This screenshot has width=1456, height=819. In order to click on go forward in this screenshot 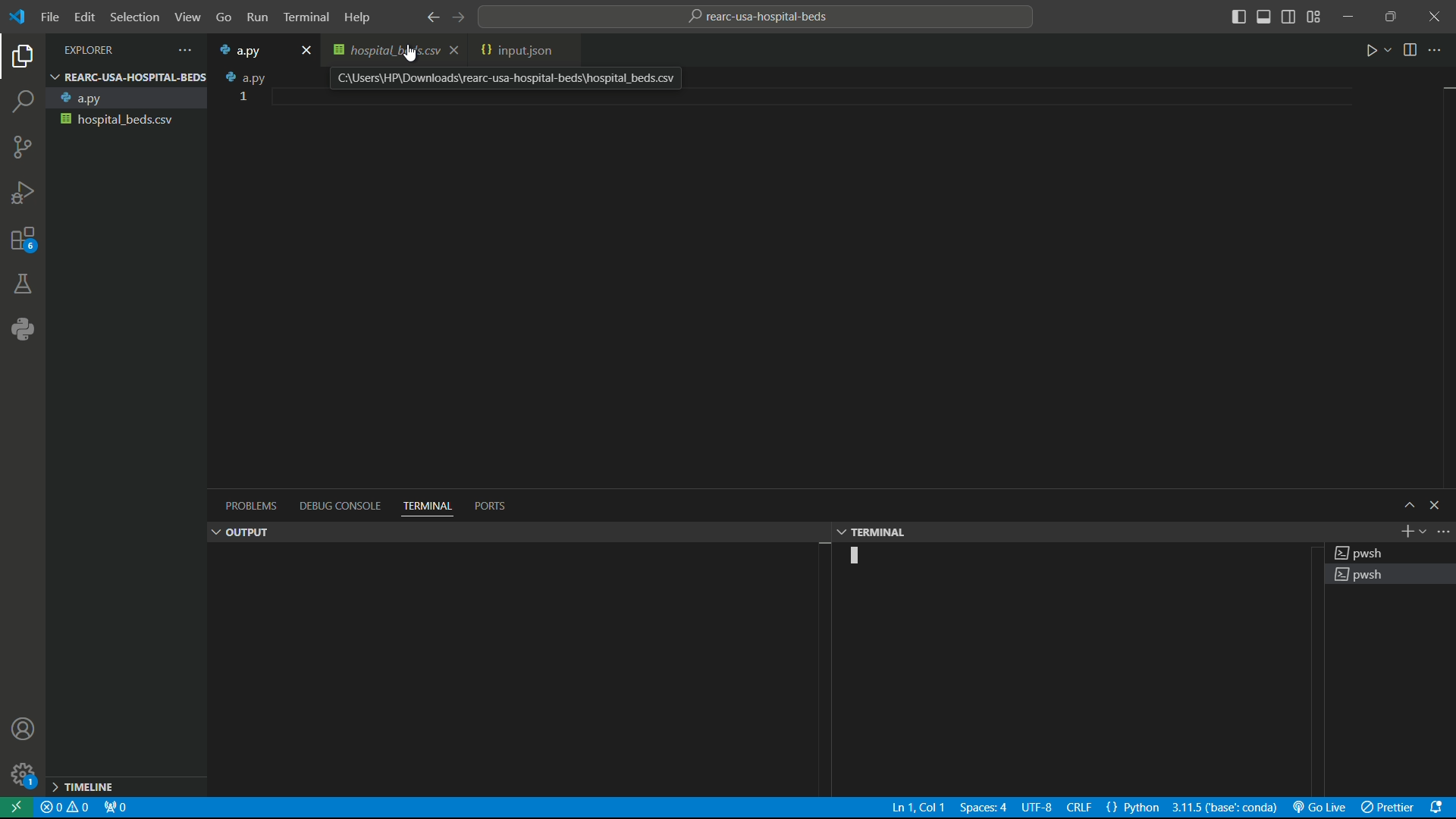, I will do `click(465, 17)`.